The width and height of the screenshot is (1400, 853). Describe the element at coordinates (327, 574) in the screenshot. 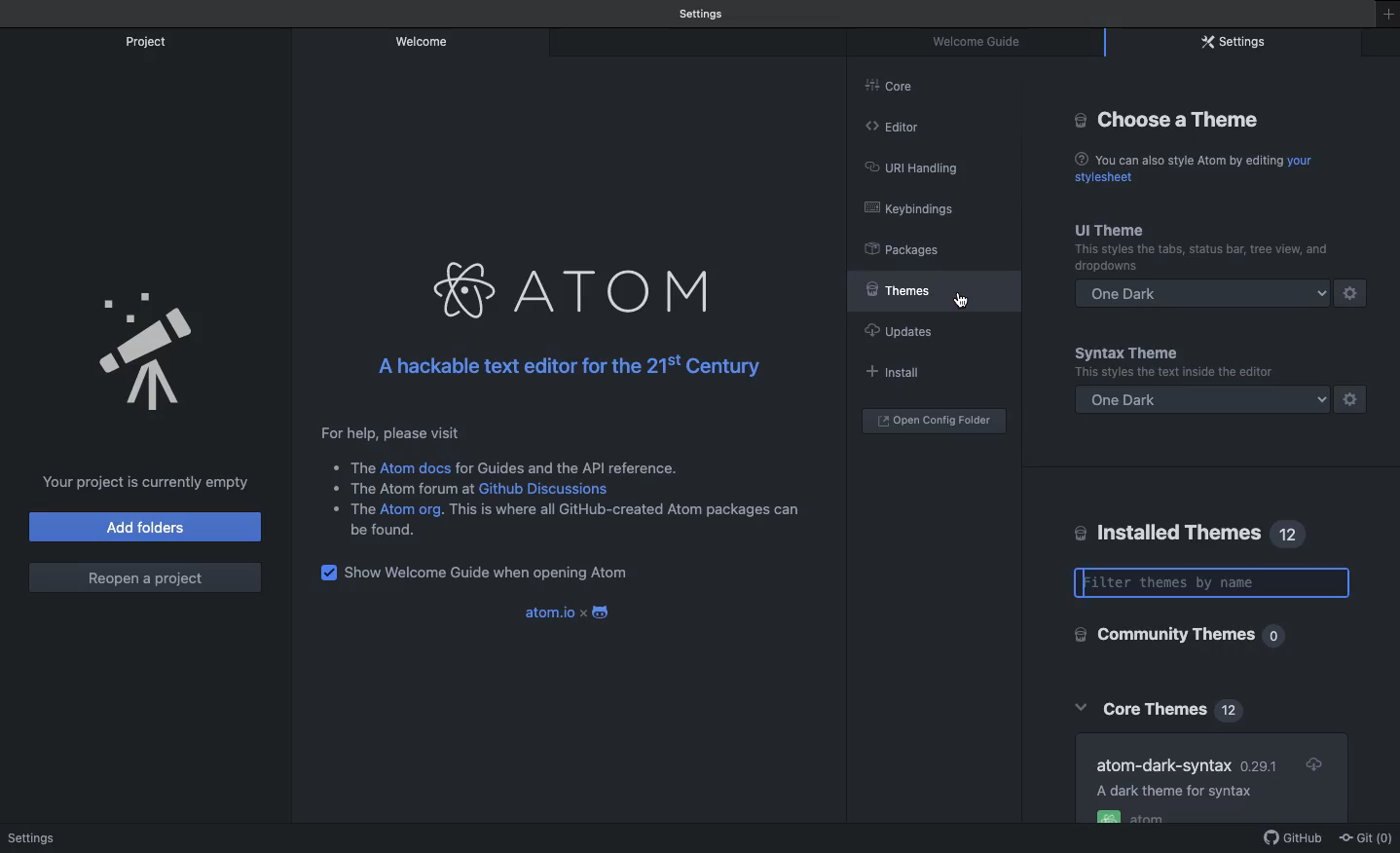

I see `checkbox` at that location.